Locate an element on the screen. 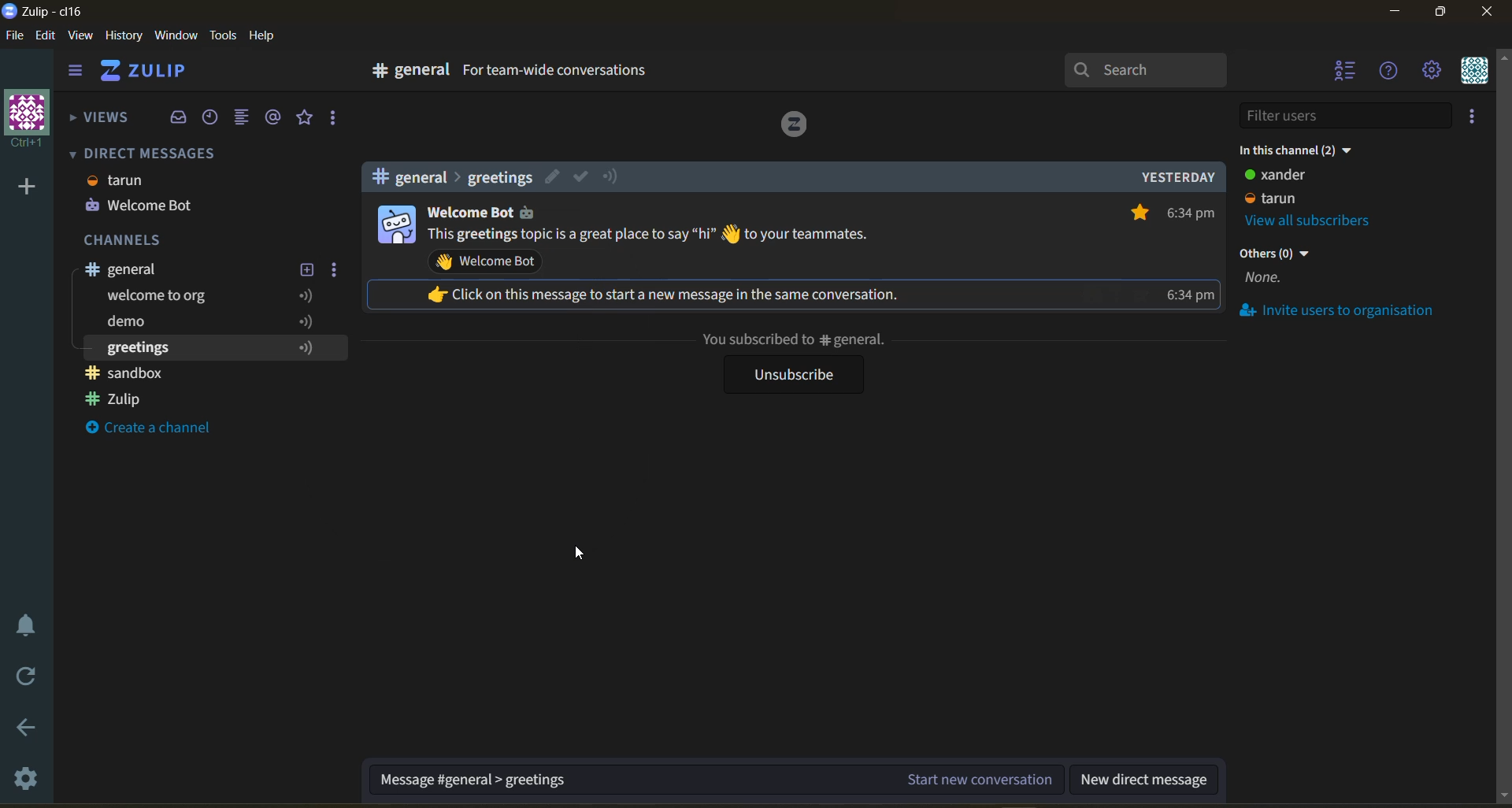 This screenshot has height=808, width=1512. cursor is located at coordinates (577, 554).